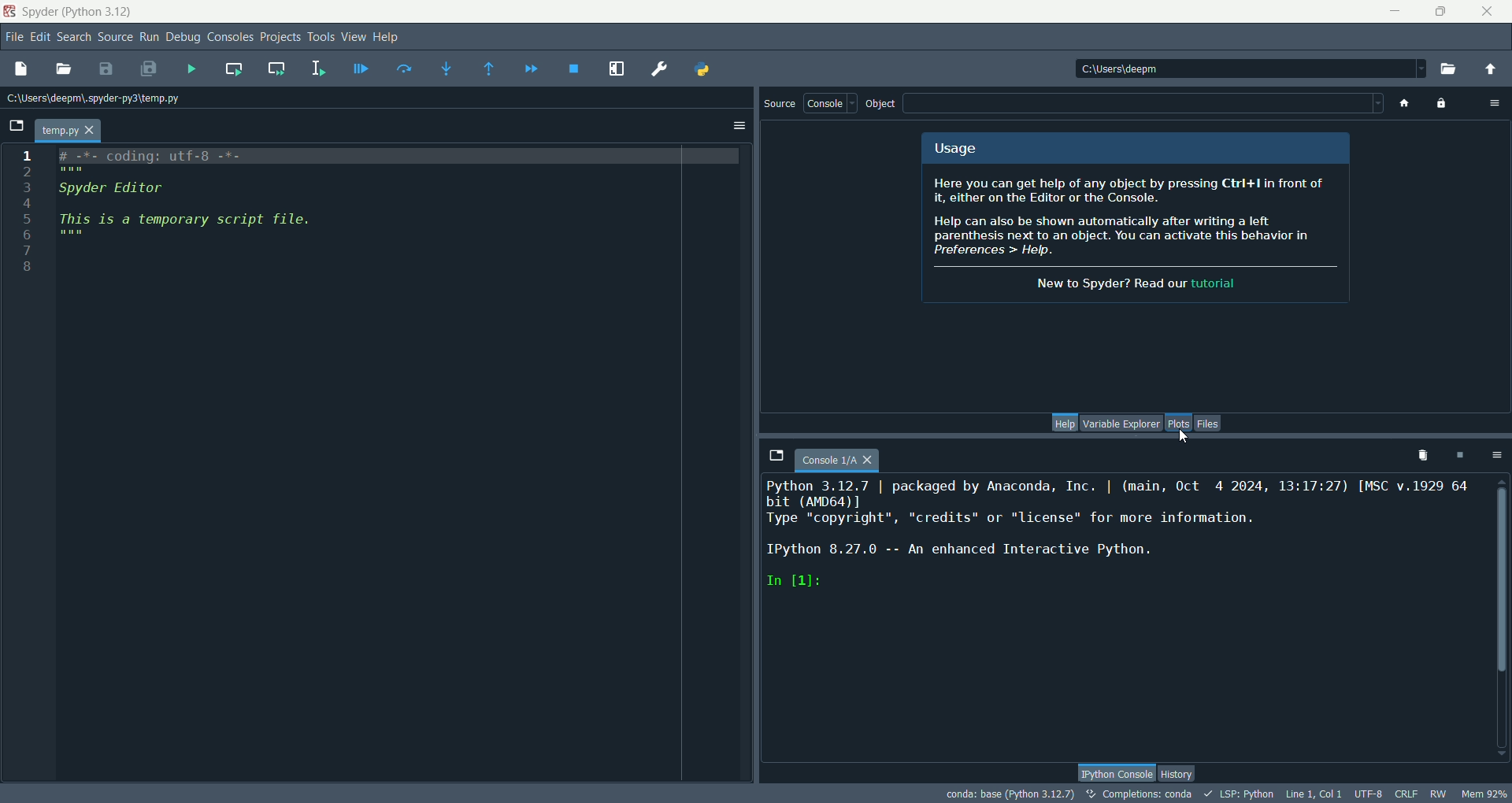  I want to click on help, so click(1065, 423).